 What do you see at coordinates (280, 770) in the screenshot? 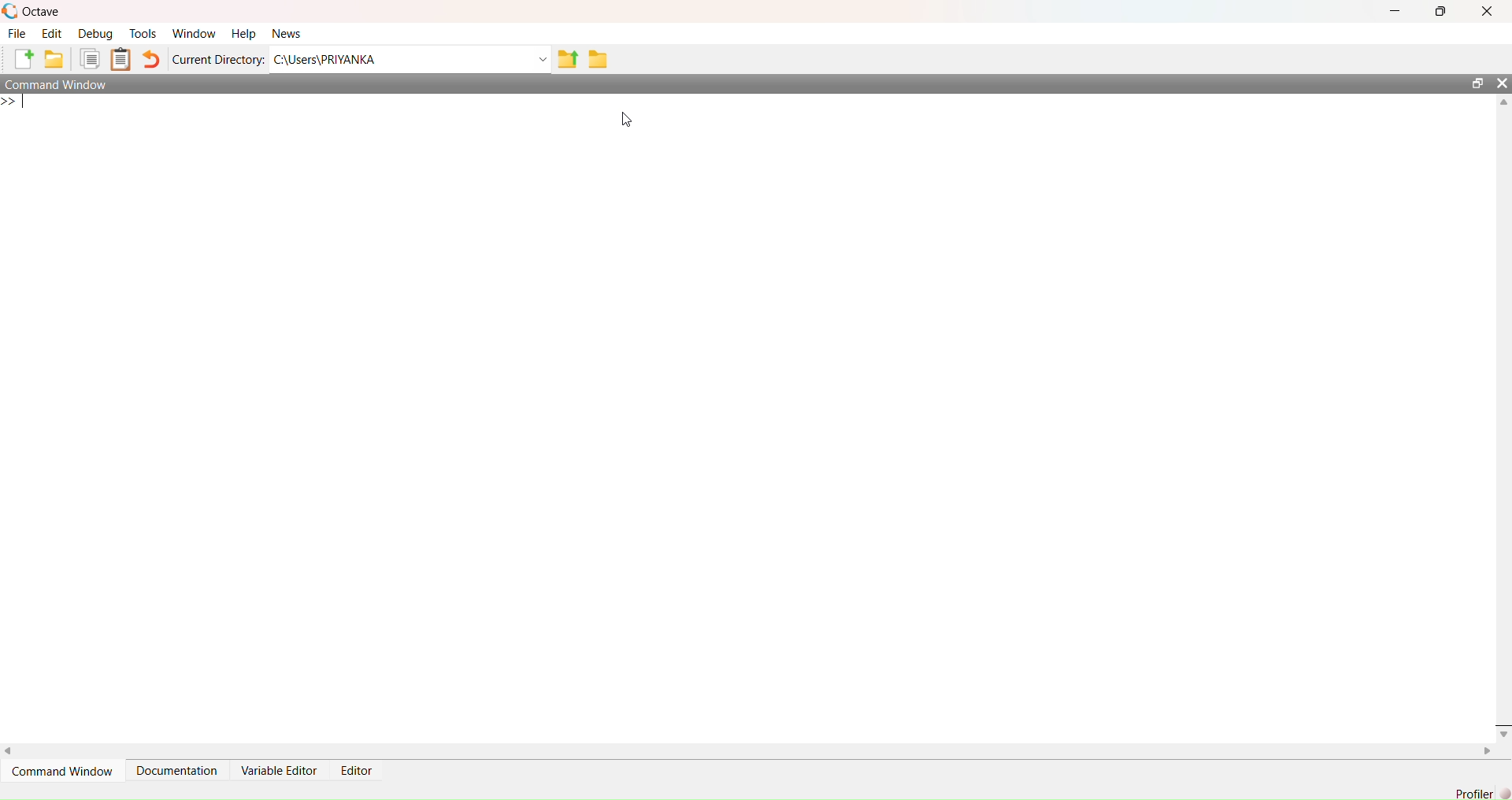
I see `Variable Editor` at bounding box center [280, 770].